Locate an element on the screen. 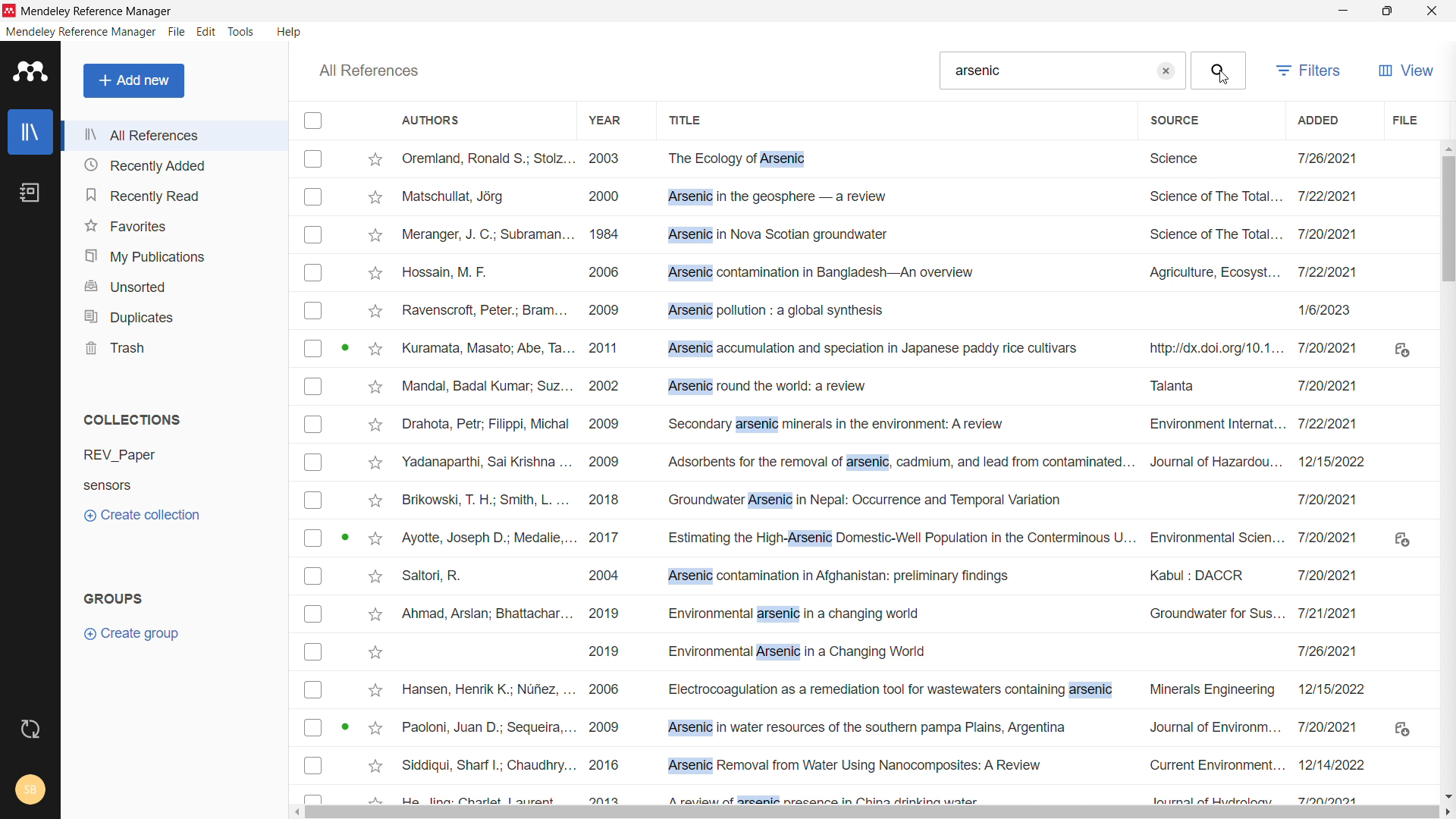  Oremland, Ronald S.; Stolz... 2003 The Ecology of Arsenic Science 7/26/2021 is located at coordinates (893, 158).